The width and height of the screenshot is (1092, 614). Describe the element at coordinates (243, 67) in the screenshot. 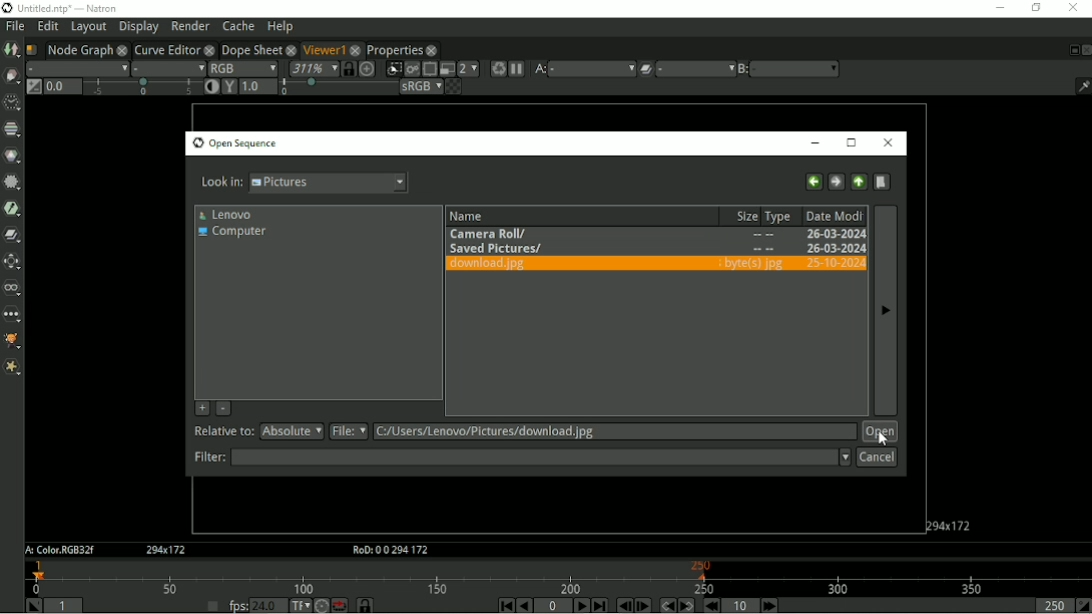

I see `RGB` at that location.